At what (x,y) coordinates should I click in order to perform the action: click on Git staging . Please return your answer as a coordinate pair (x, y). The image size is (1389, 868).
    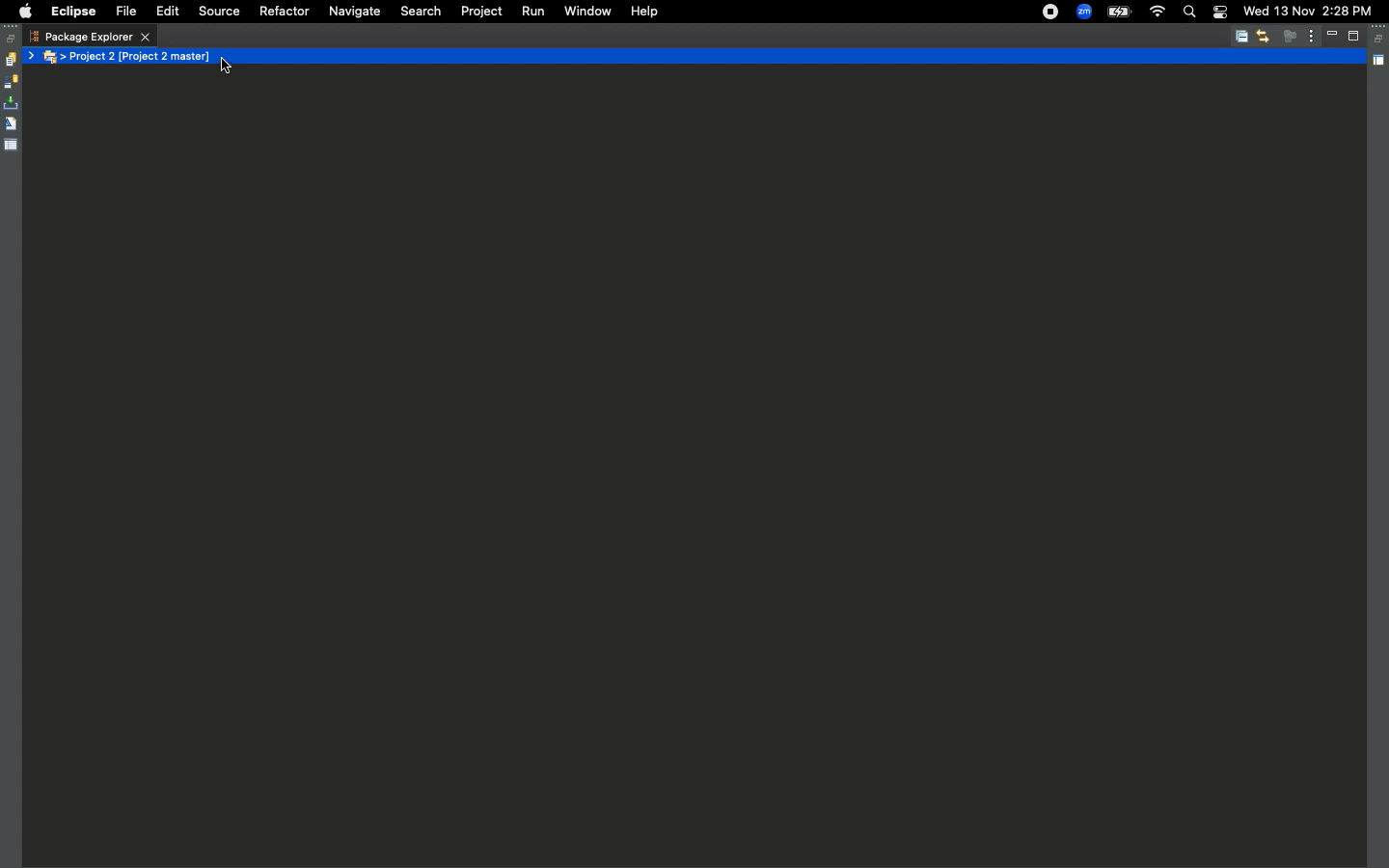
    Looking at the image, I should click on (13, 103).